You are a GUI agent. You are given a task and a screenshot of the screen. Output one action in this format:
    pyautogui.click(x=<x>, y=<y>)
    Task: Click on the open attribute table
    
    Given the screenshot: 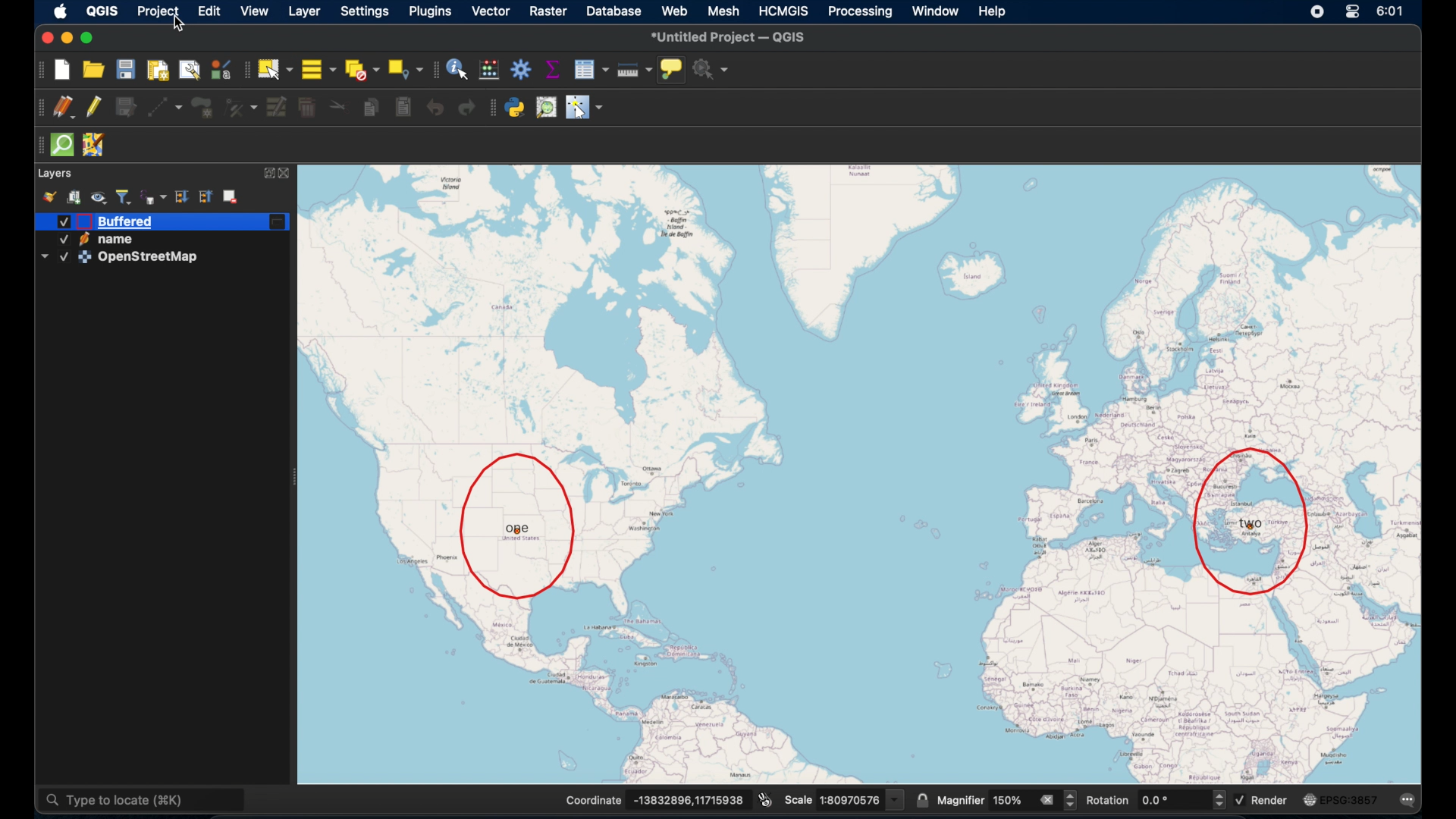 What is the action you would take?
    pyautogui.click(x=590, y=69)
    